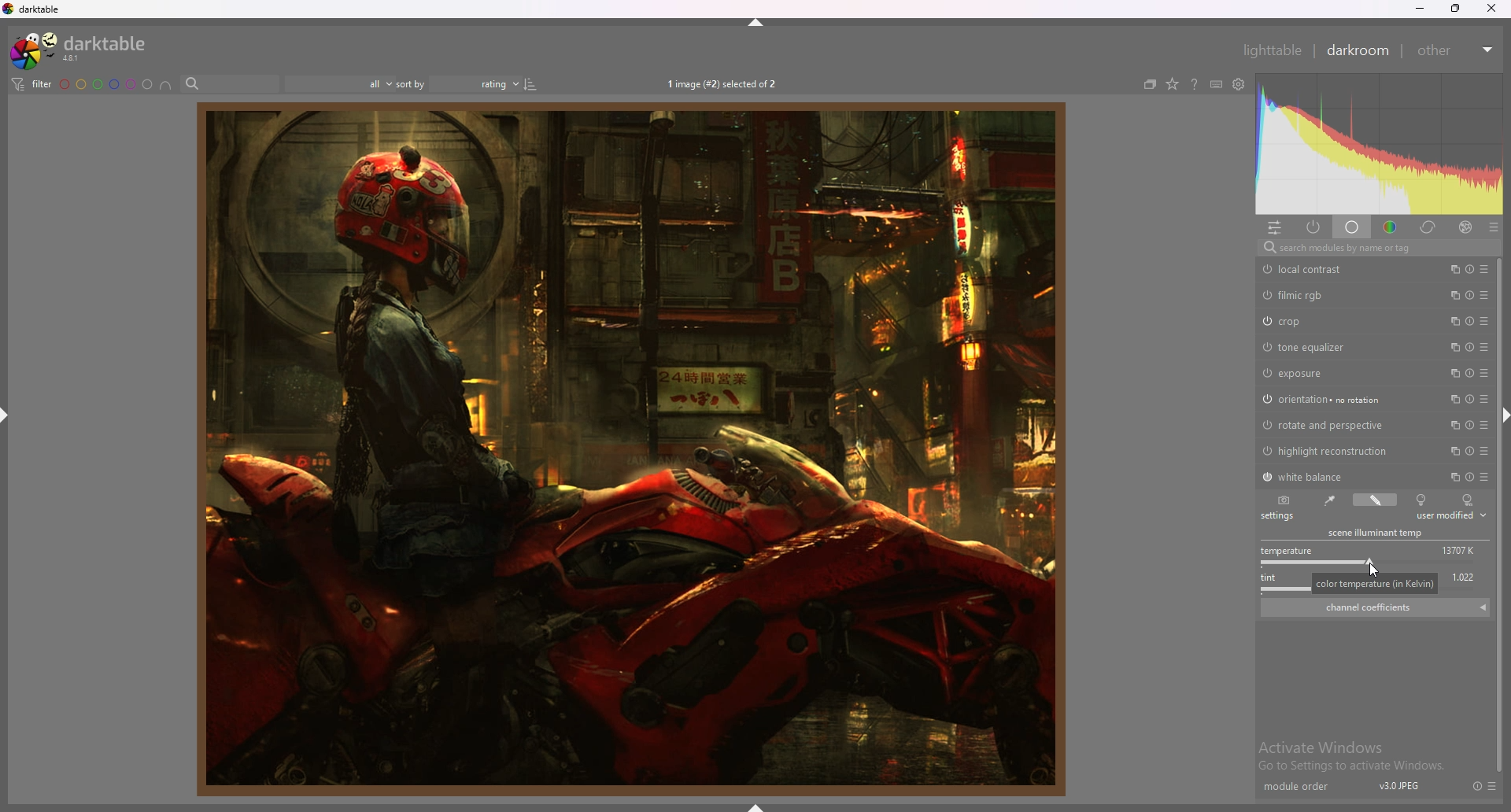 This screenshot has width=1511, height=812. What do you see at coordinates (1483, 373) in the screenshot?
I see `presets` at bounding box center [1483, 373].